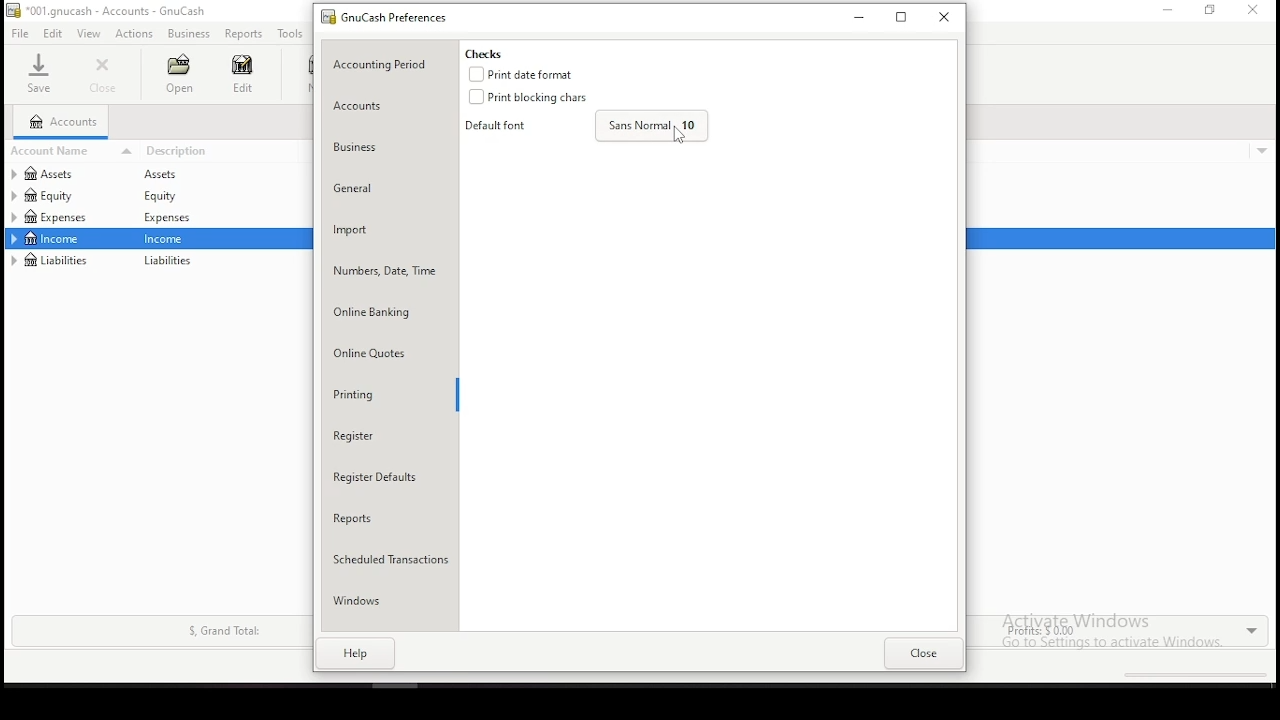  Describe the element at coordinates (189, 33) in the screenshot. I see `business` at that location.